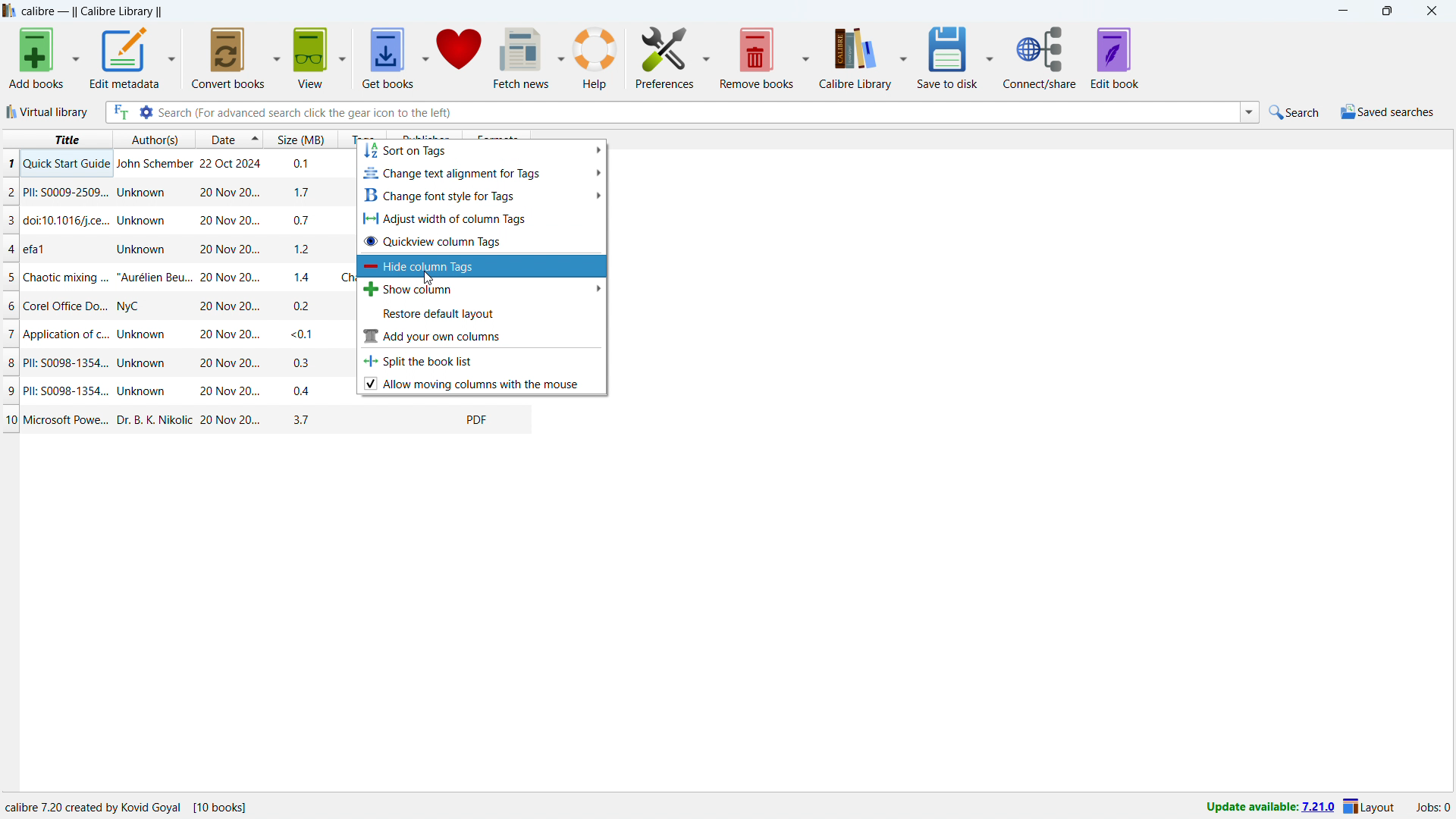 This screenshot has width=1456, height=819. I want to click on connect/share, so click(1040, 58).